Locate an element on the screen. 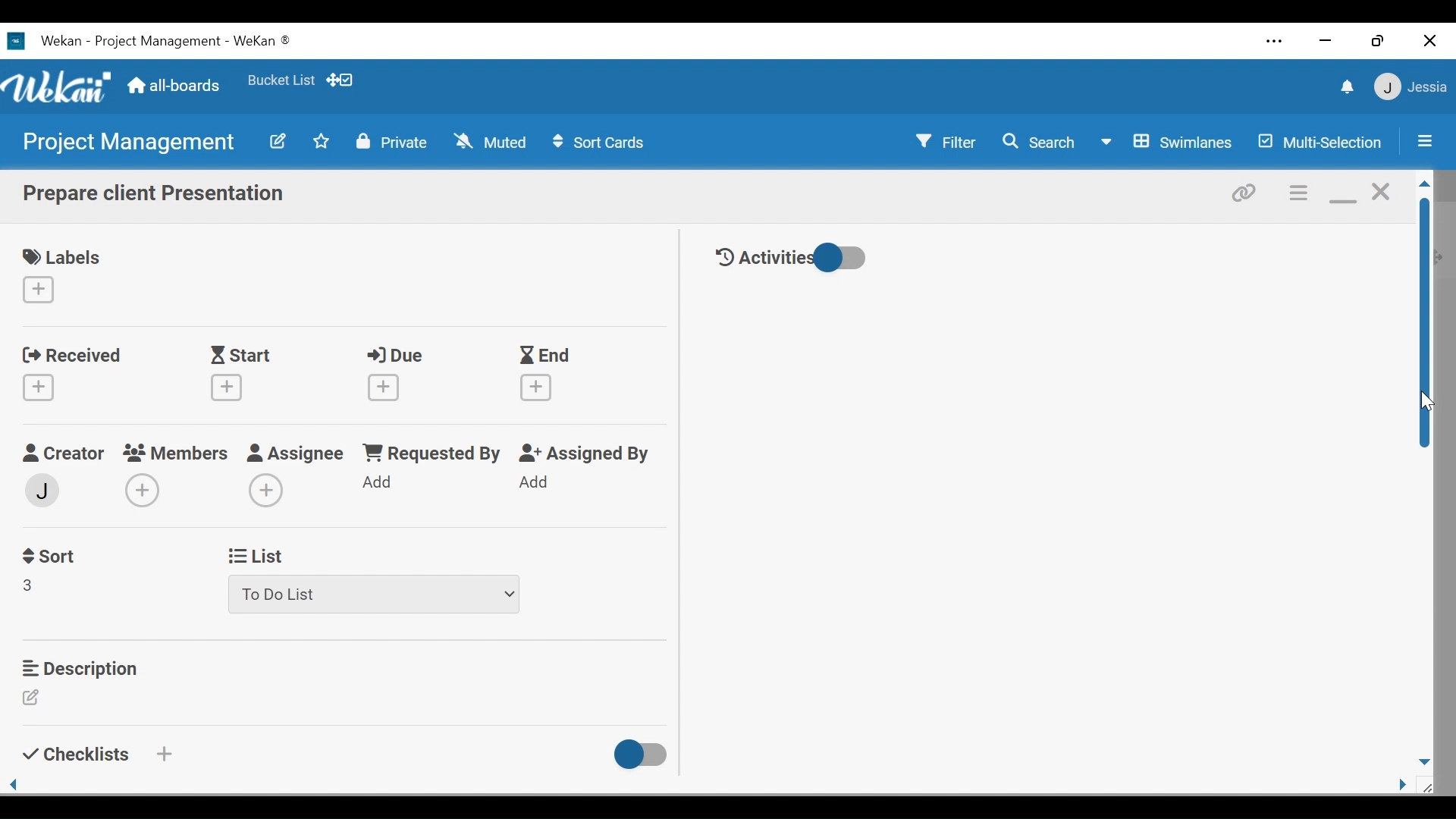 The image size is (1456, 819). Activities is located at coordinates (764, 257).